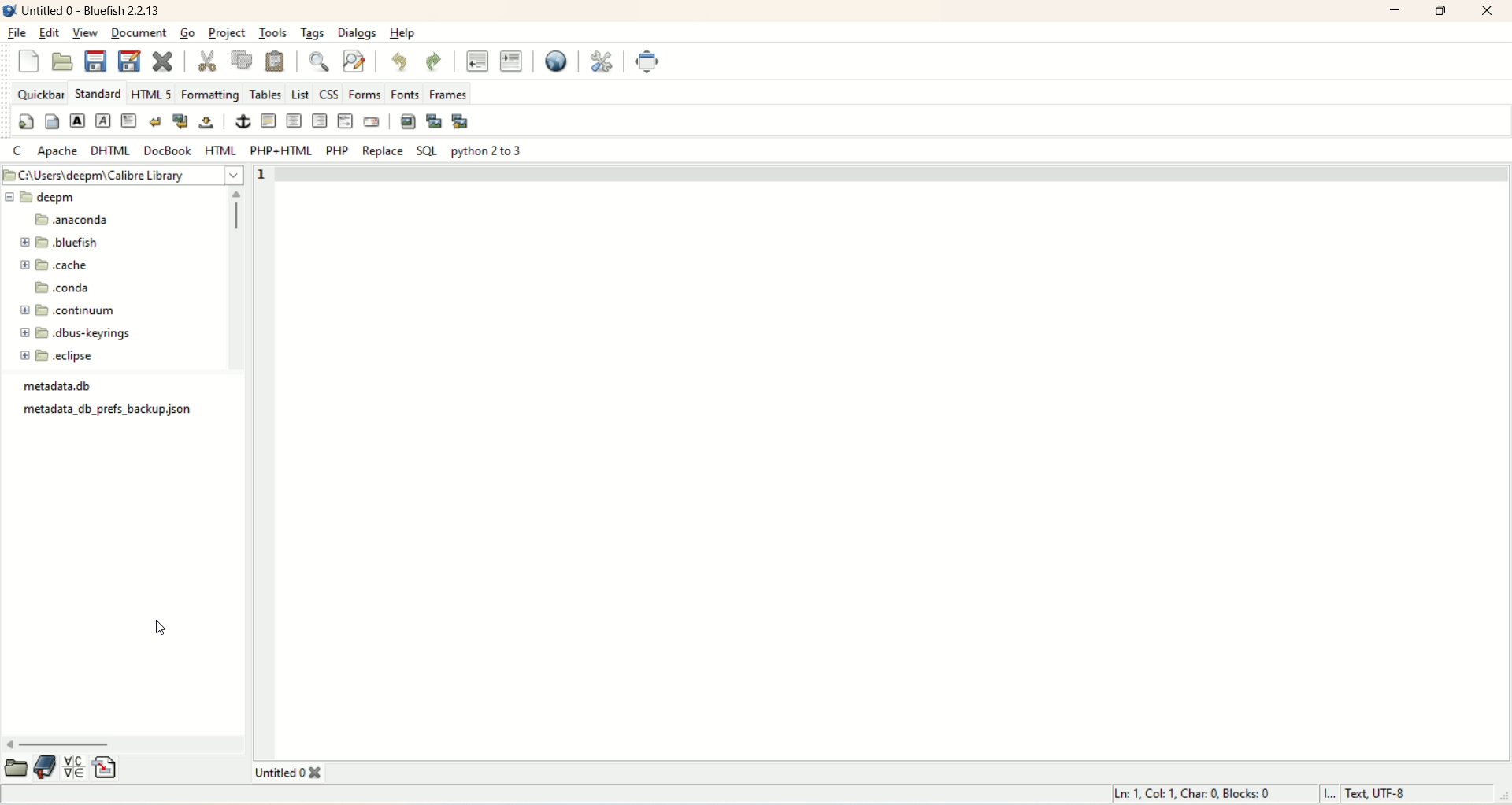  I want to click on list, so click(298, 91).